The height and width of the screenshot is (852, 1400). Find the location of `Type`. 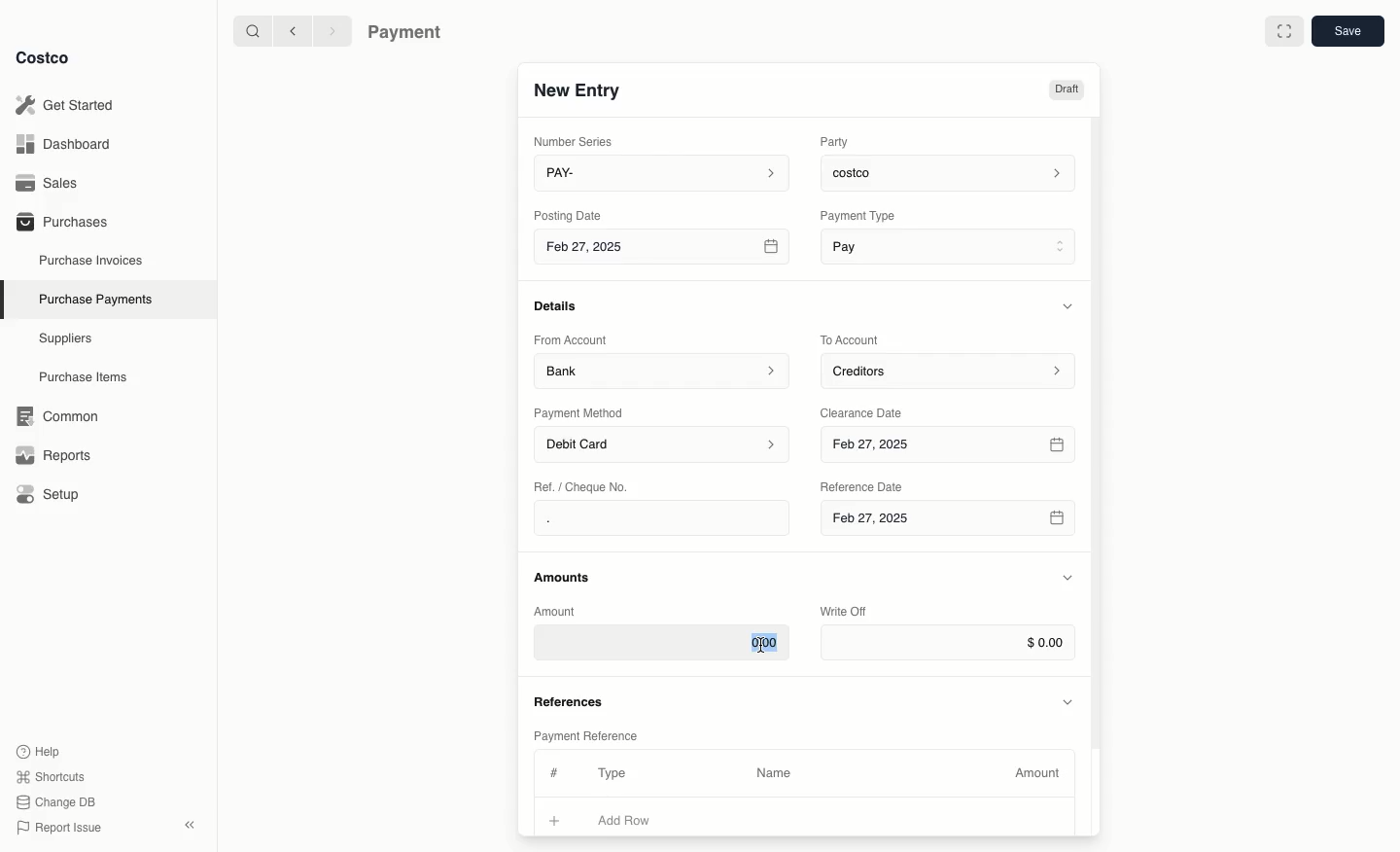

Type is located at coordinates (616, 773).